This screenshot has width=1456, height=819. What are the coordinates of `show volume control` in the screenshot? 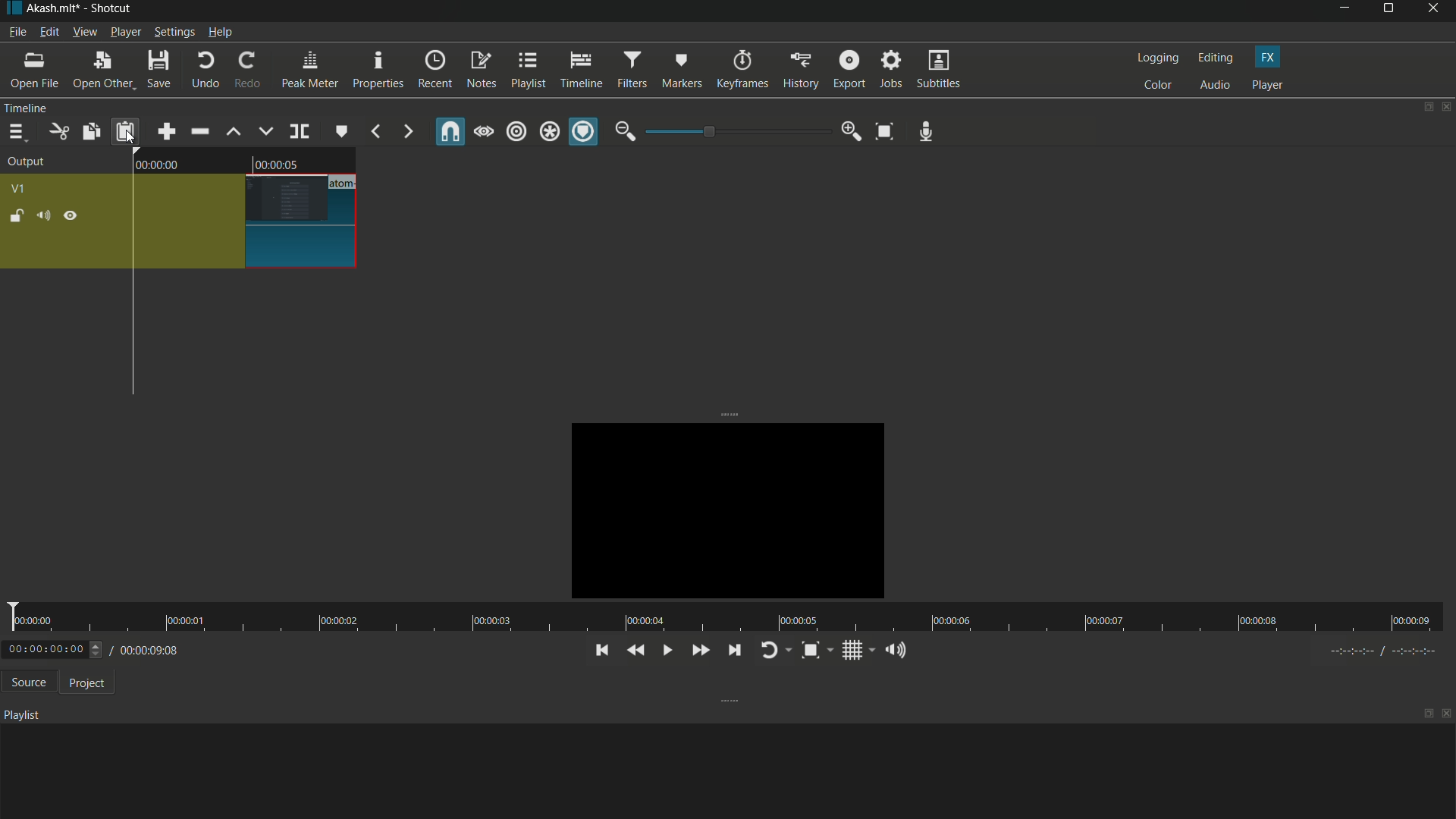 It's located at (899, 649).